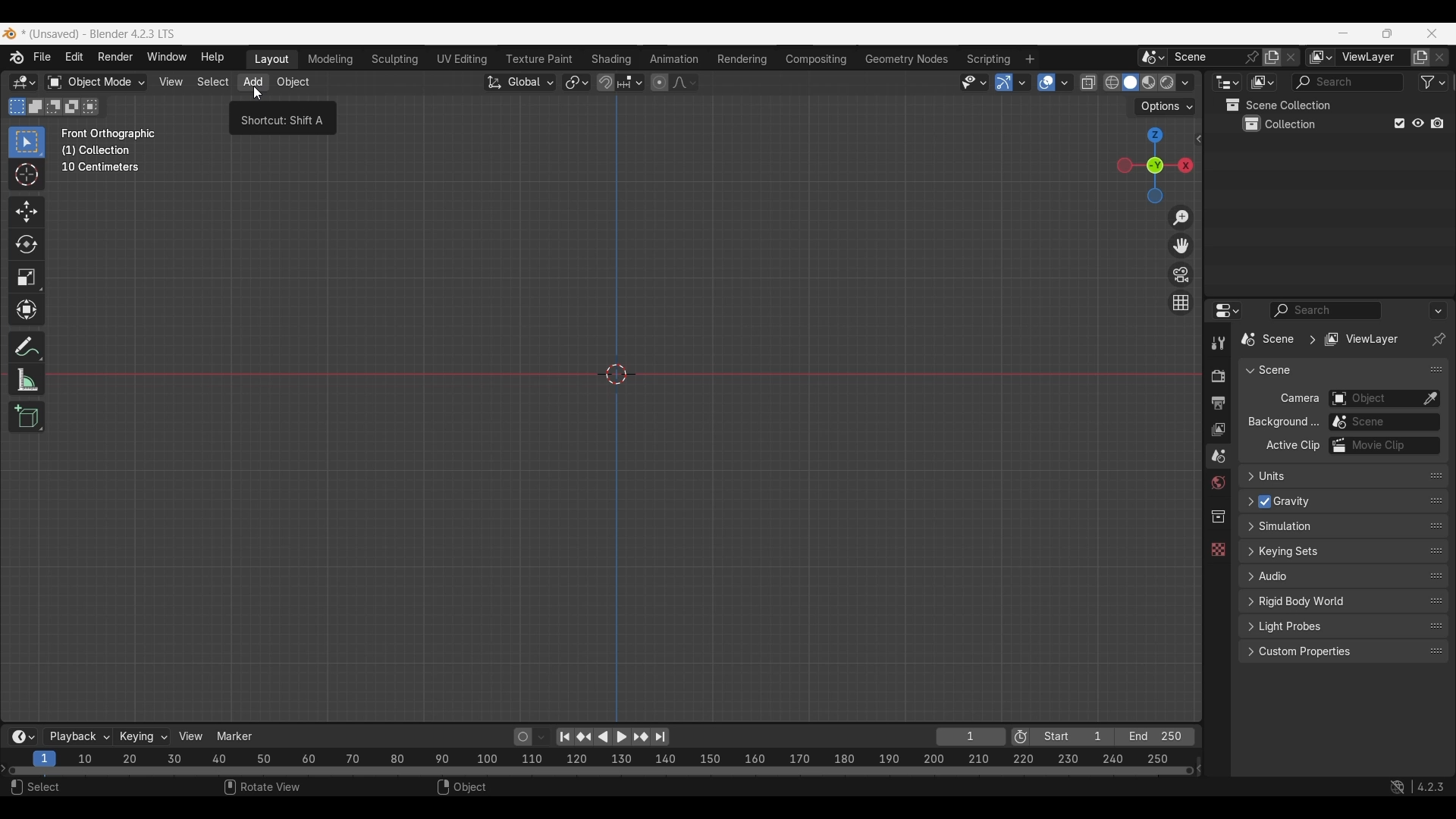 This screenshot has height=819, width=1456. Describe the element at coordinates (1151, 165) in the screenshot. I see `Click to use a preset viewport` at that location.